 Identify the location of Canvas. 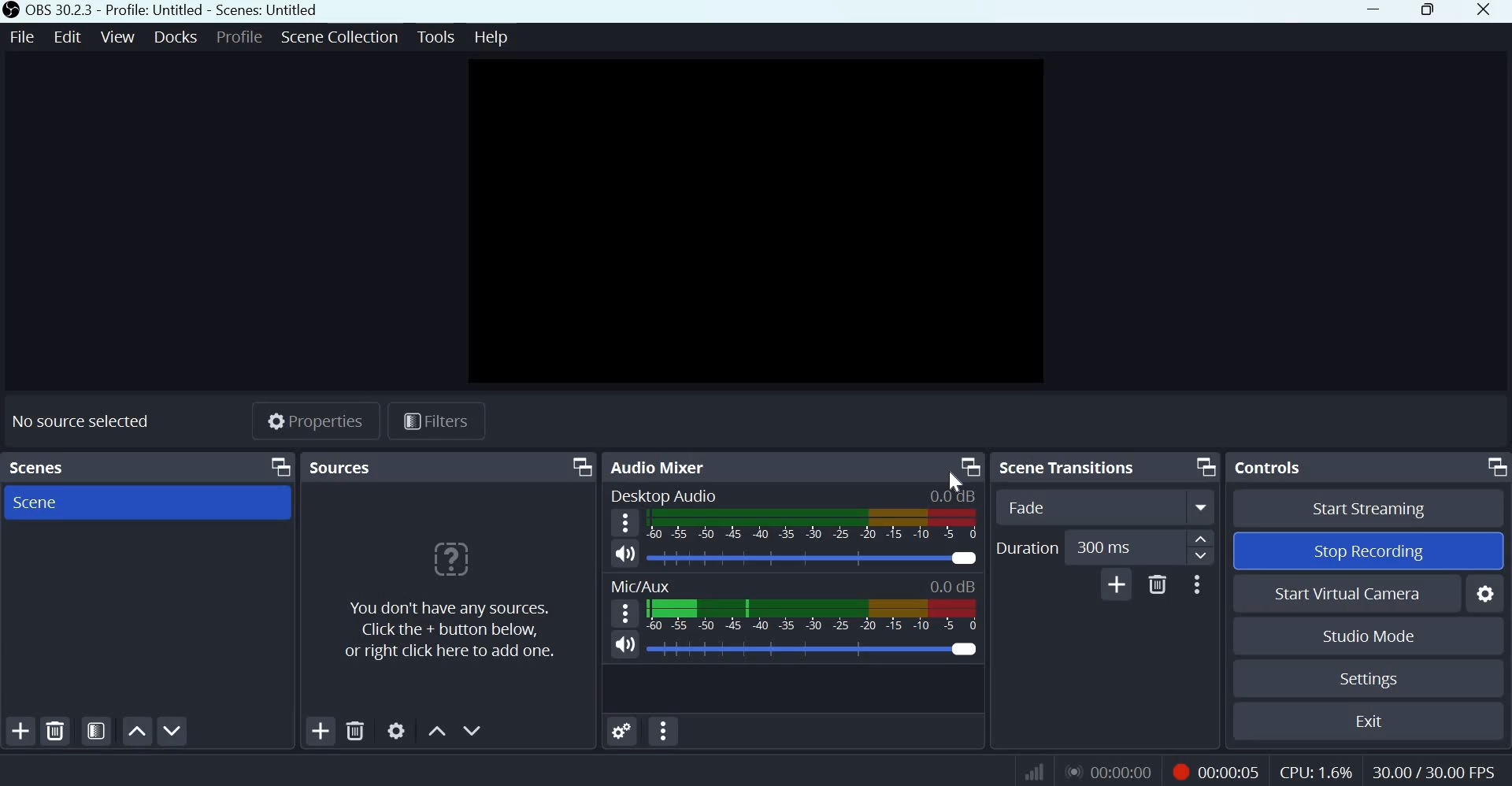
(750, 223).